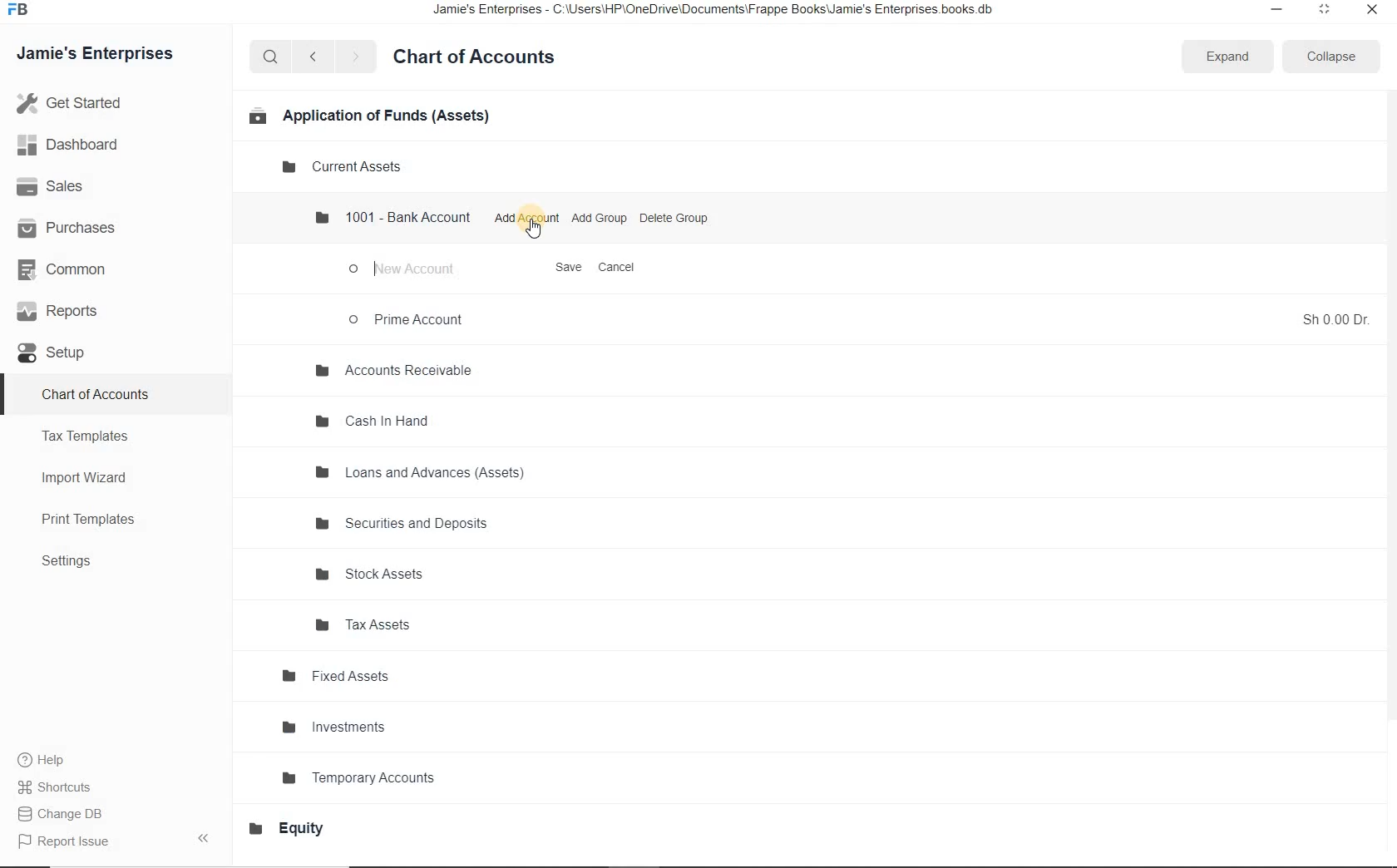  Describe the element at coordinates (50, 762) in the screenshot. I see `Help` at that location.